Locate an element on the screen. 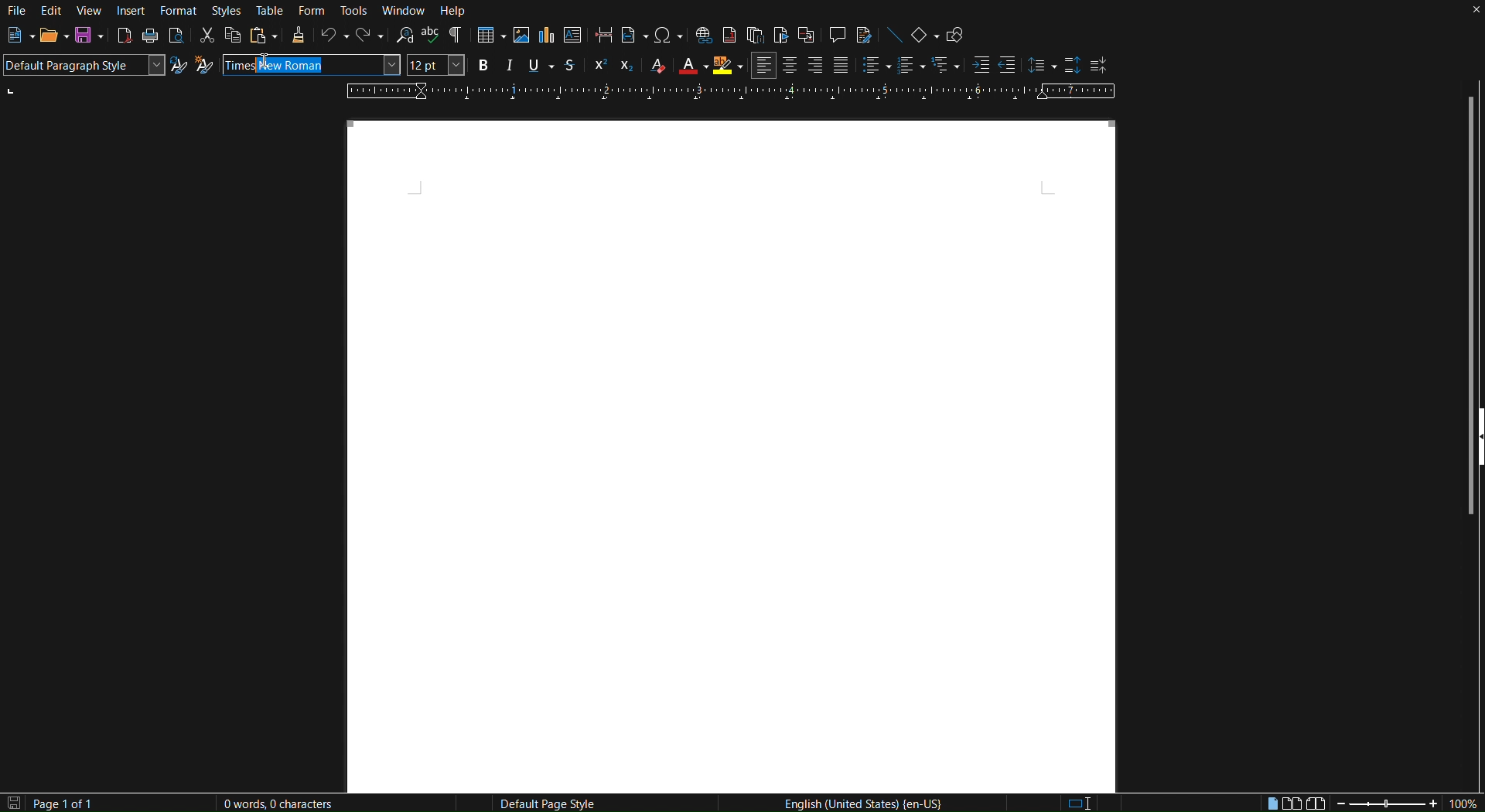  Window is located at coordinates (406, 11).